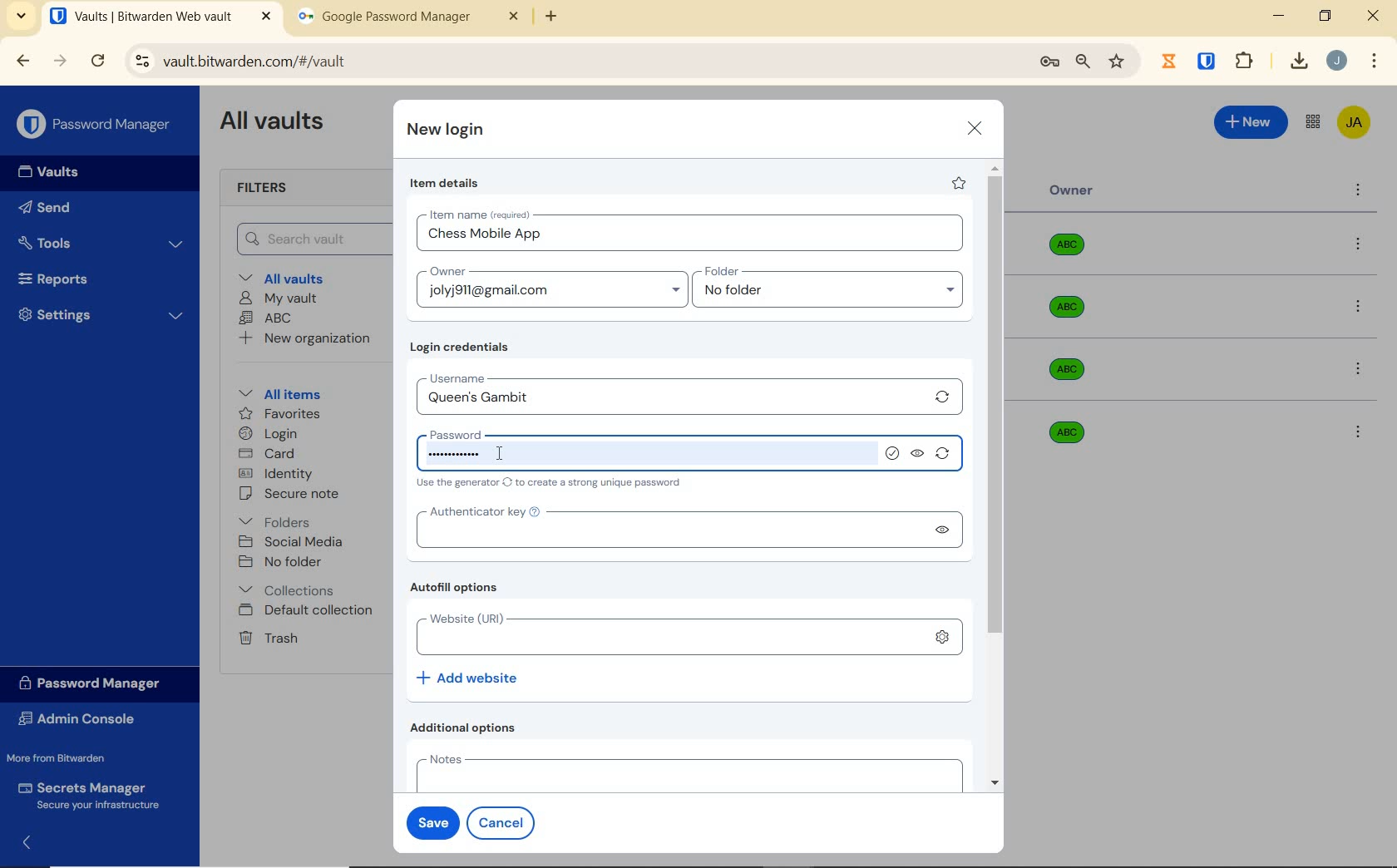 This screenshot has width=1397, height=868. Describe the element at coordinates (1354, 124) in the screenshot. I see `Bitwarden Account` at that location.